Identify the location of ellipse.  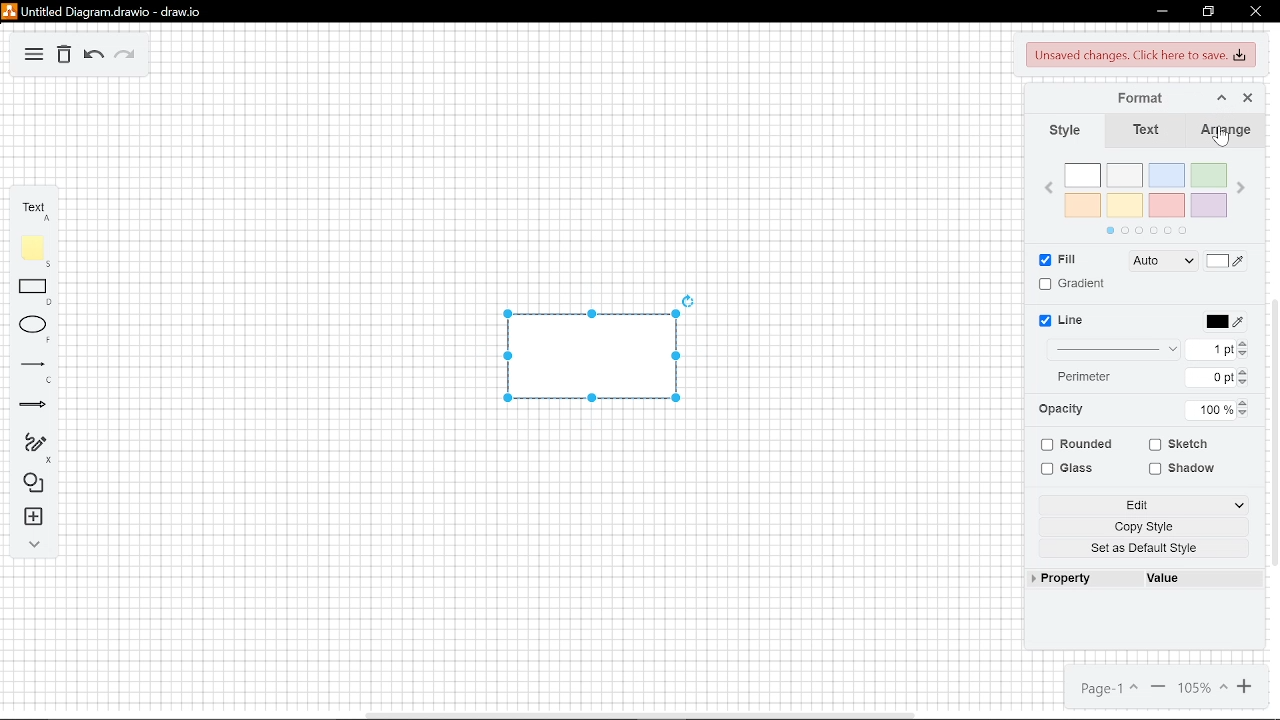
(37, 330).